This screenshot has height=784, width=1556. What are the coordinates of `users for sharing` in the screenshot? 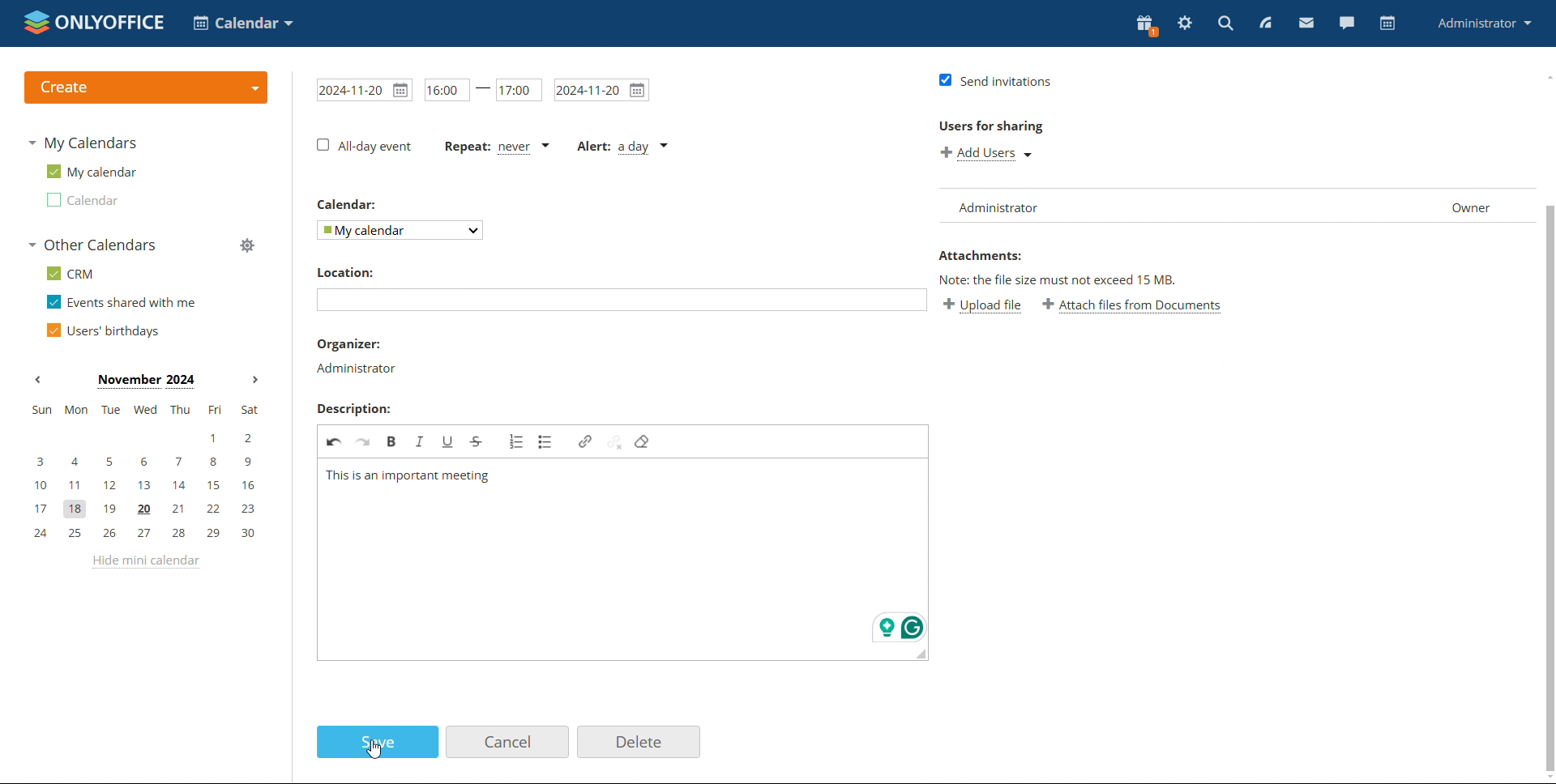 It's located at (989, 127).